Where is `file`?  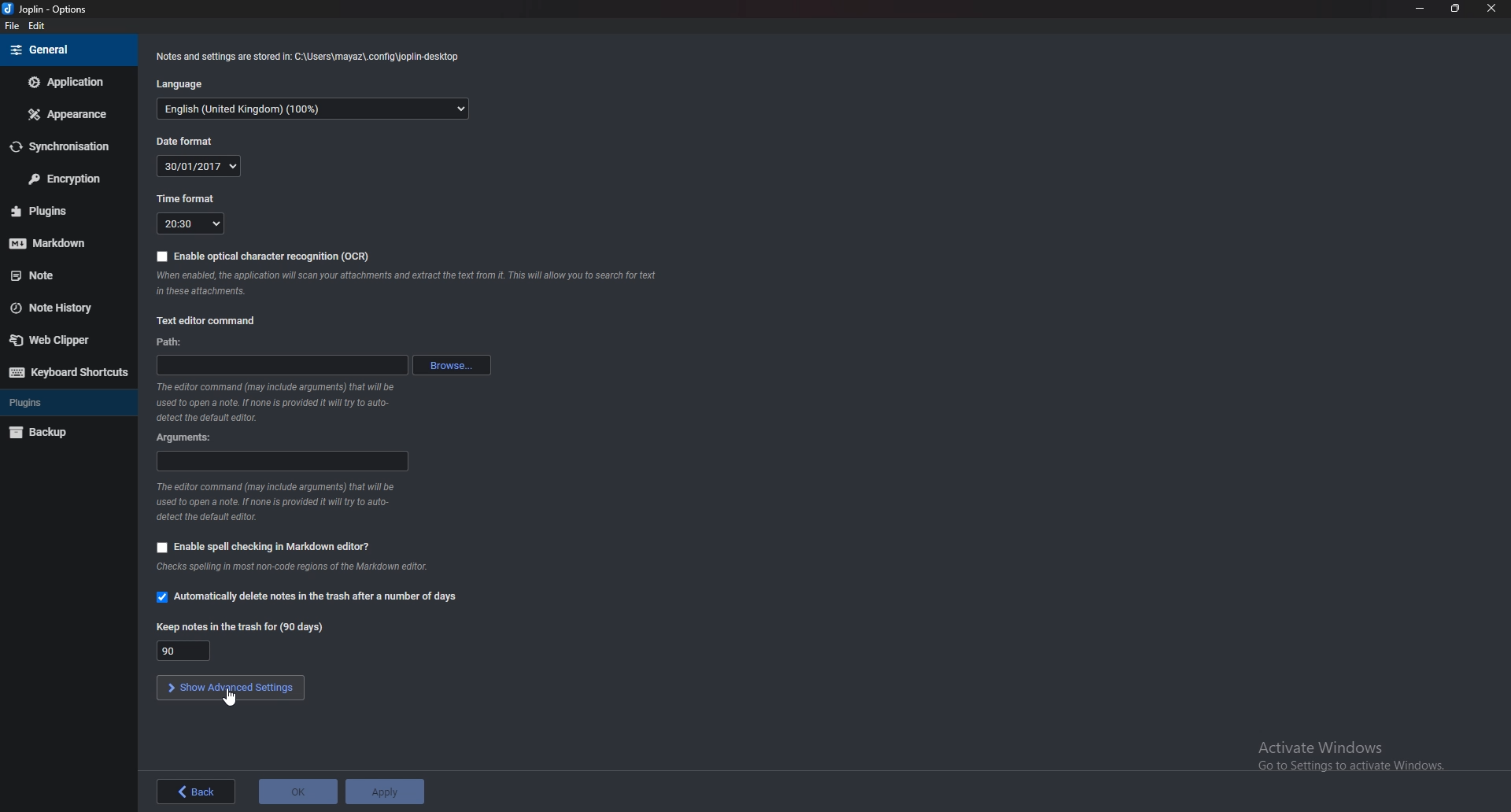
file is located at coordinates (13, 26).